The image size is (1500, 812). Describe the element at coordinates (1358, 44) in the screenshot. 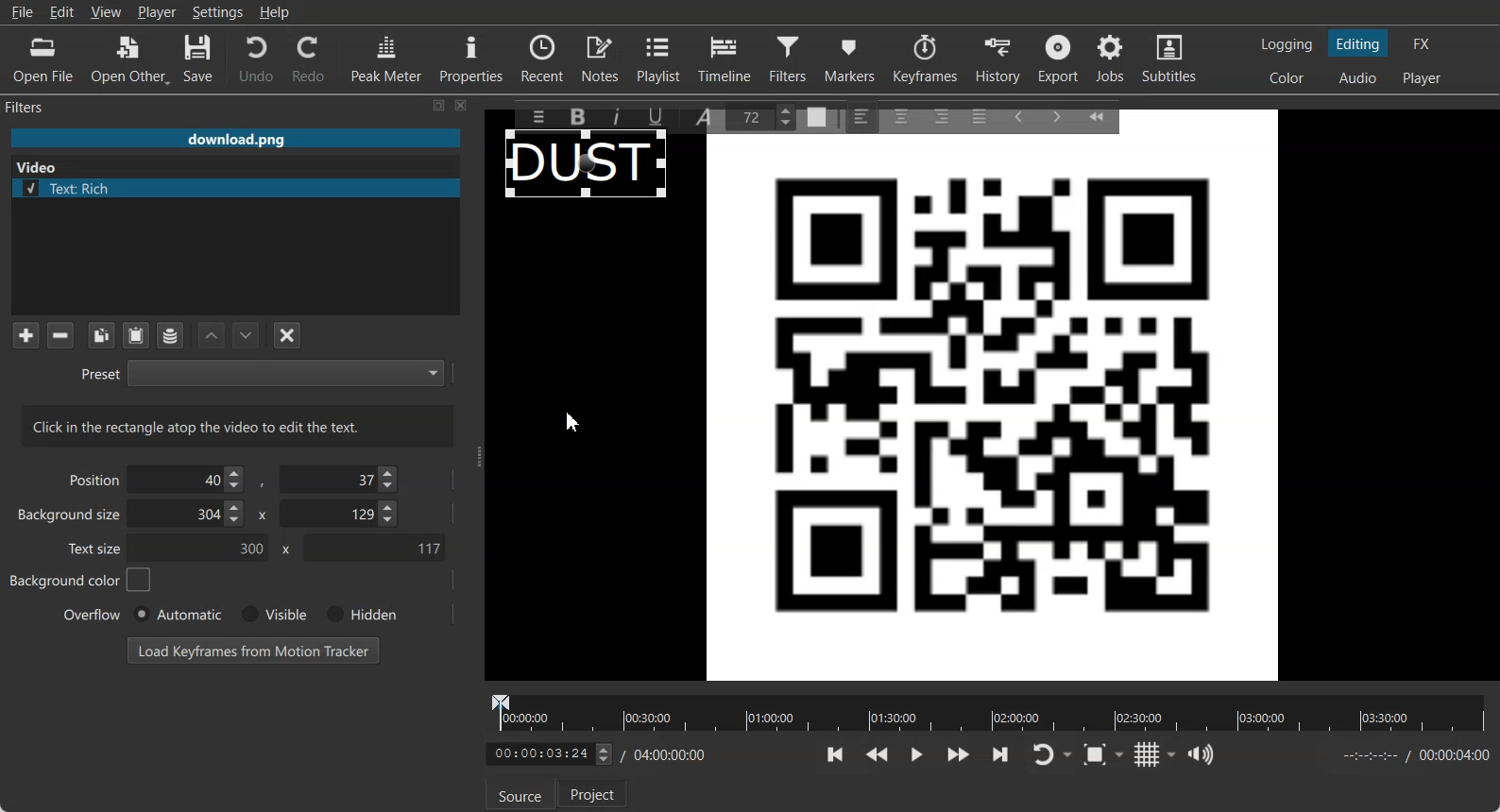

I see `Switching to the Editing layout` at that location.